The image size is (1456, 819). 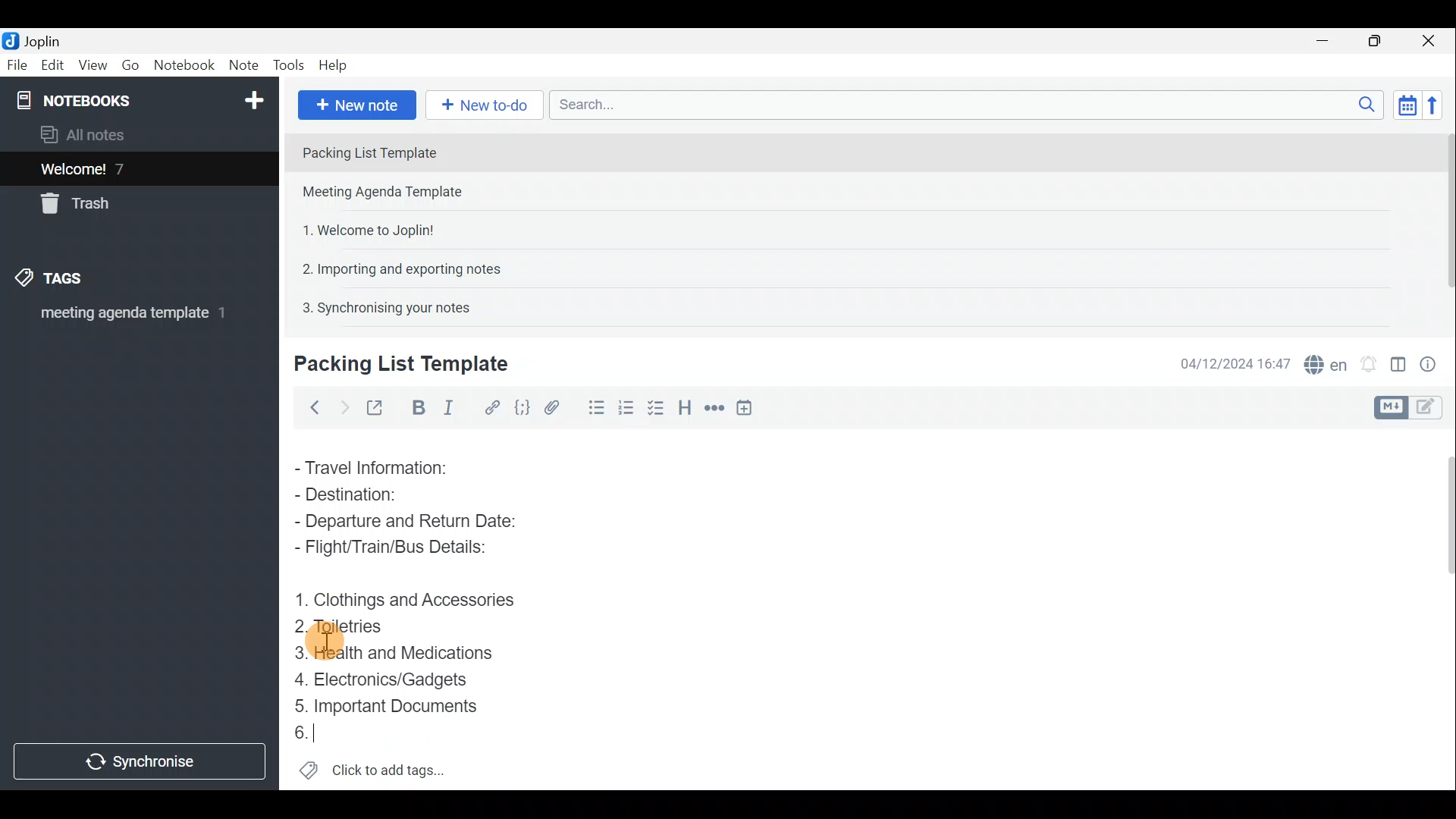 I want to click on Note 1, so click(x=424, y=151).